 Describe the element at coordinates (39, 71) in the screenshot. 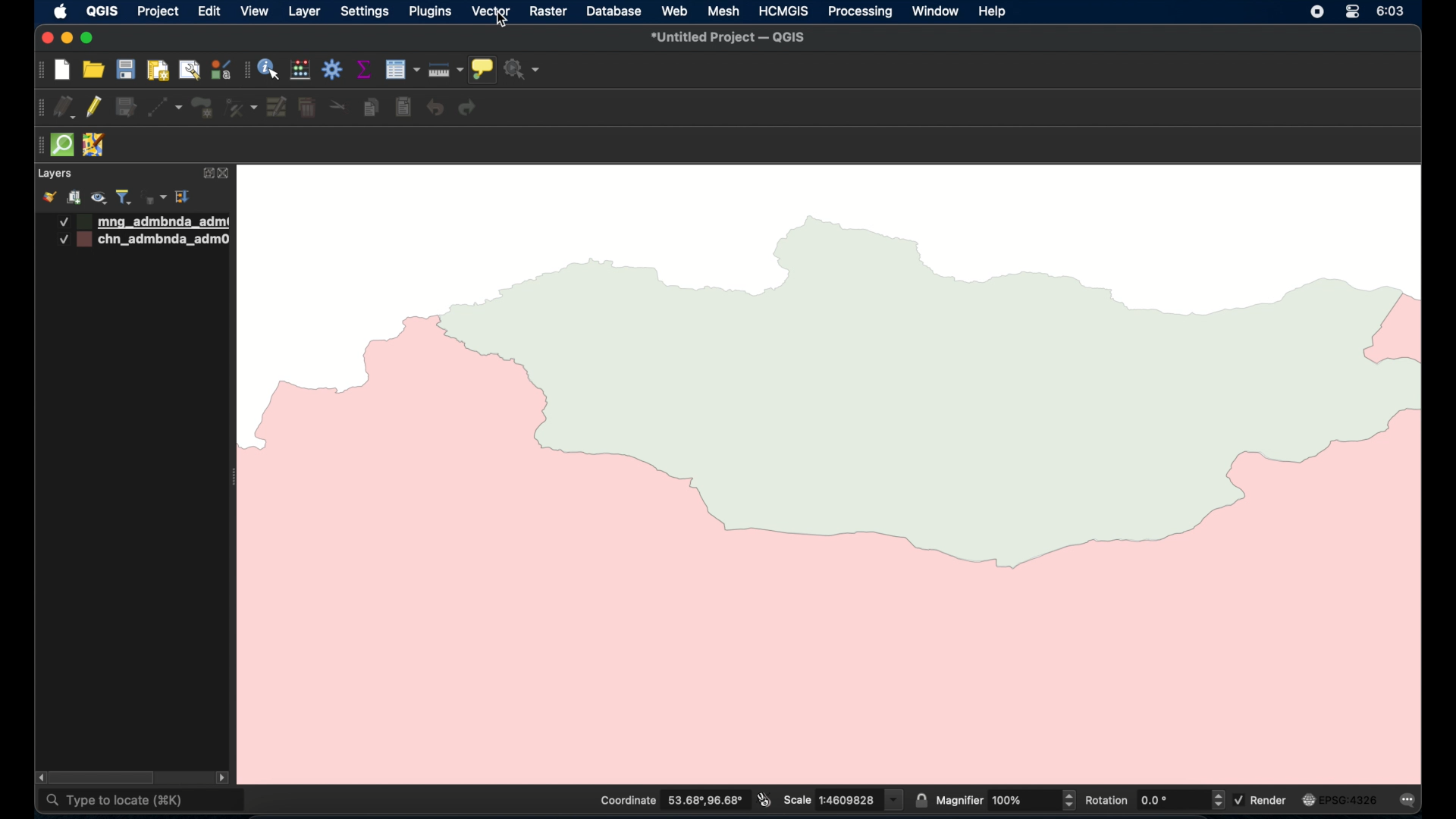

I see `project toolbar` at that location.